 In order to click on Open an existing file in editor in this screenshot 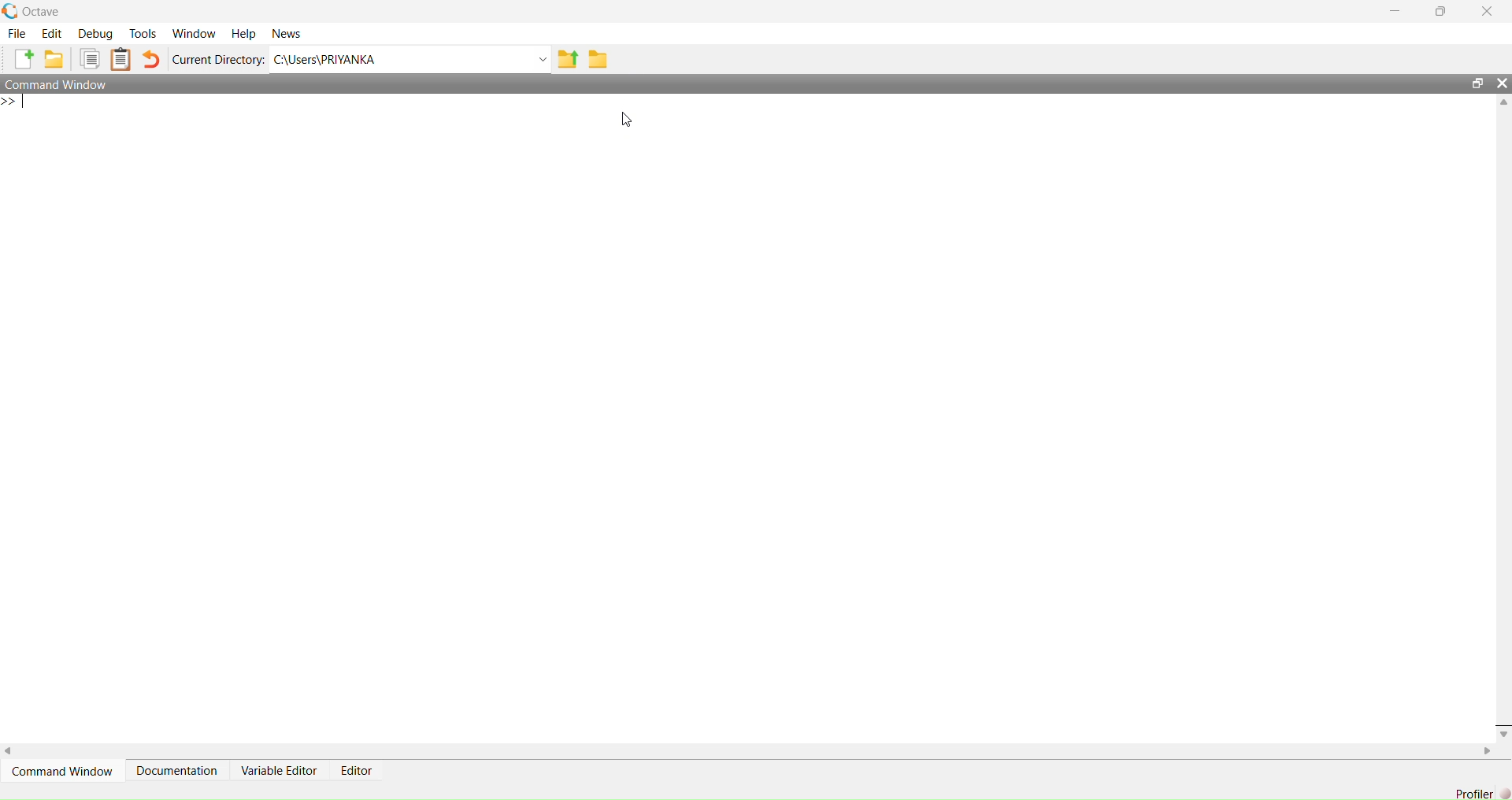, I will do `click(57, 59)`.